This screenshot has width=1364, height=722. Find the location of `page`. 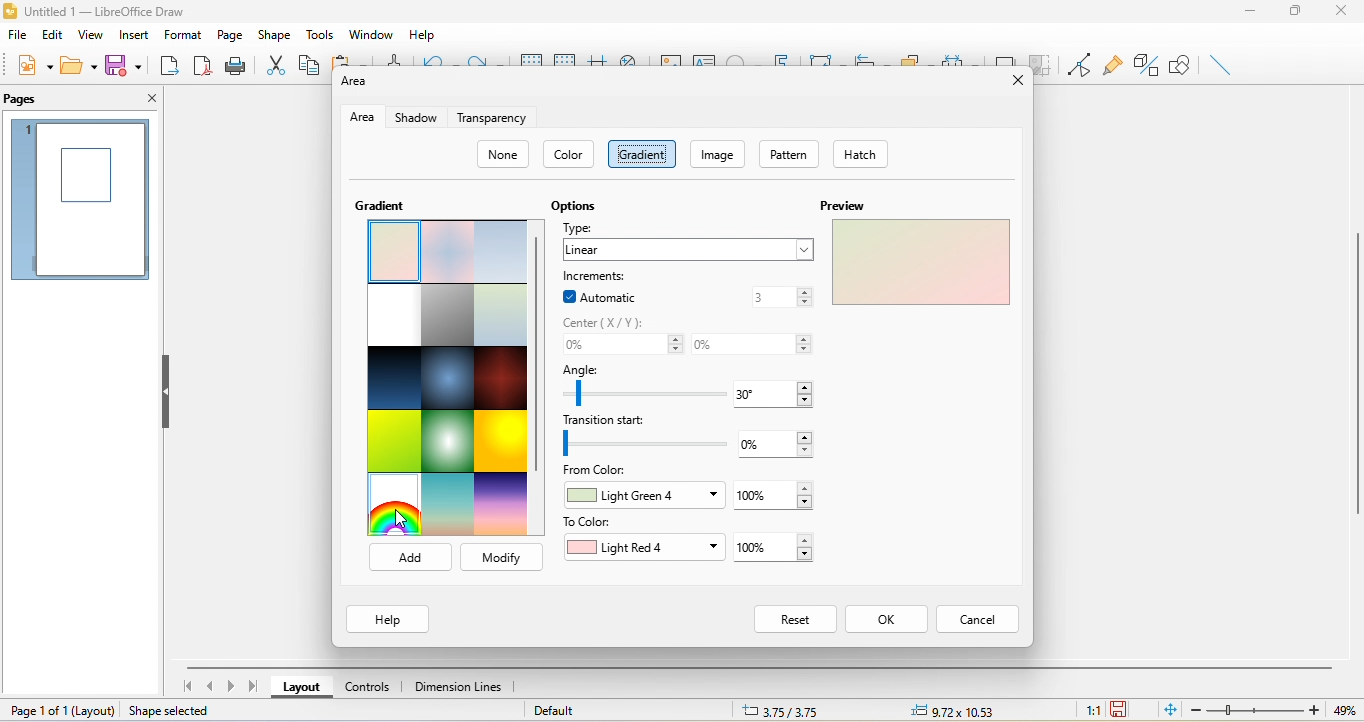

page is located at coordinates (229, 34).